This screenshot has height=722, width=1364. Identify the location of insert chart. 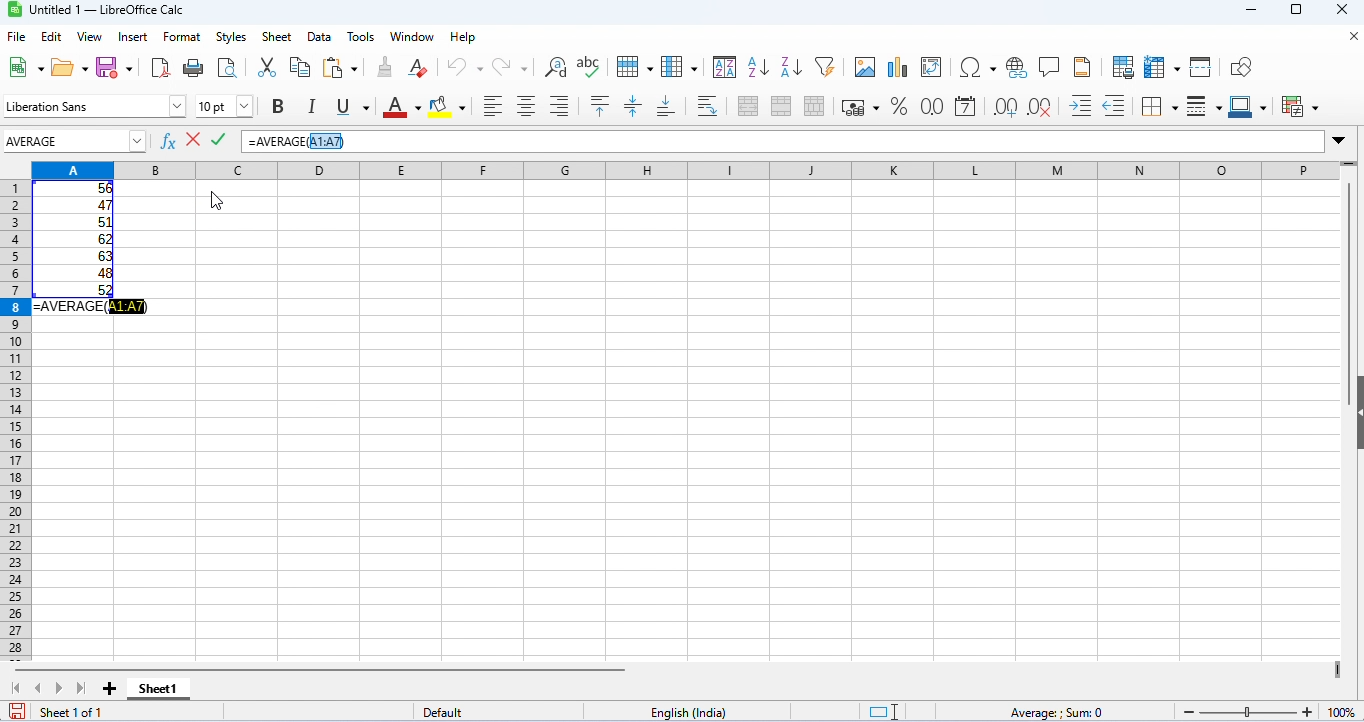
(897, 68).